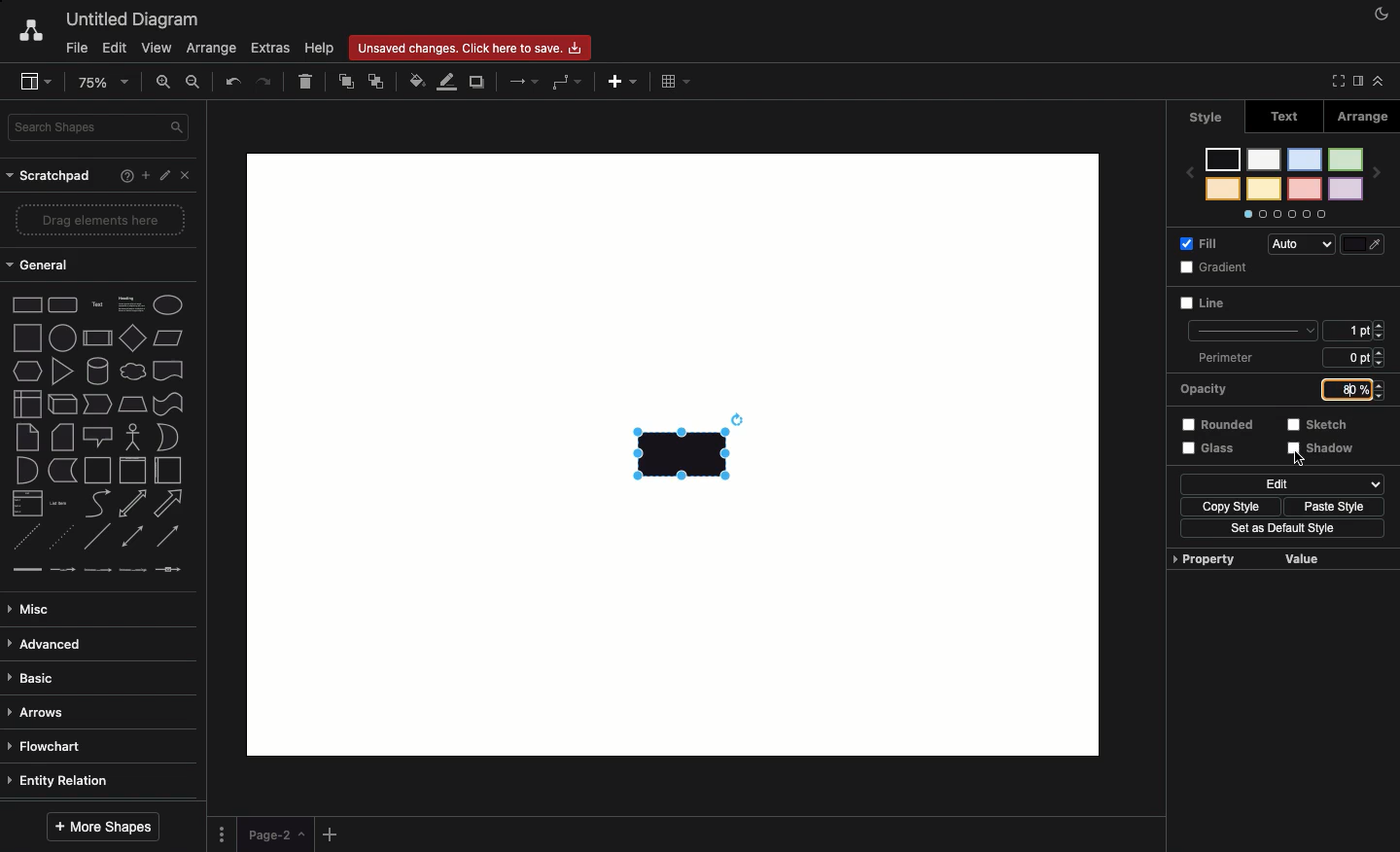 The height and width of the screenshot is (852, 1400). Describe the element at coordinates (1323, 449) in the screenshot. I see `Shadow` at that location.